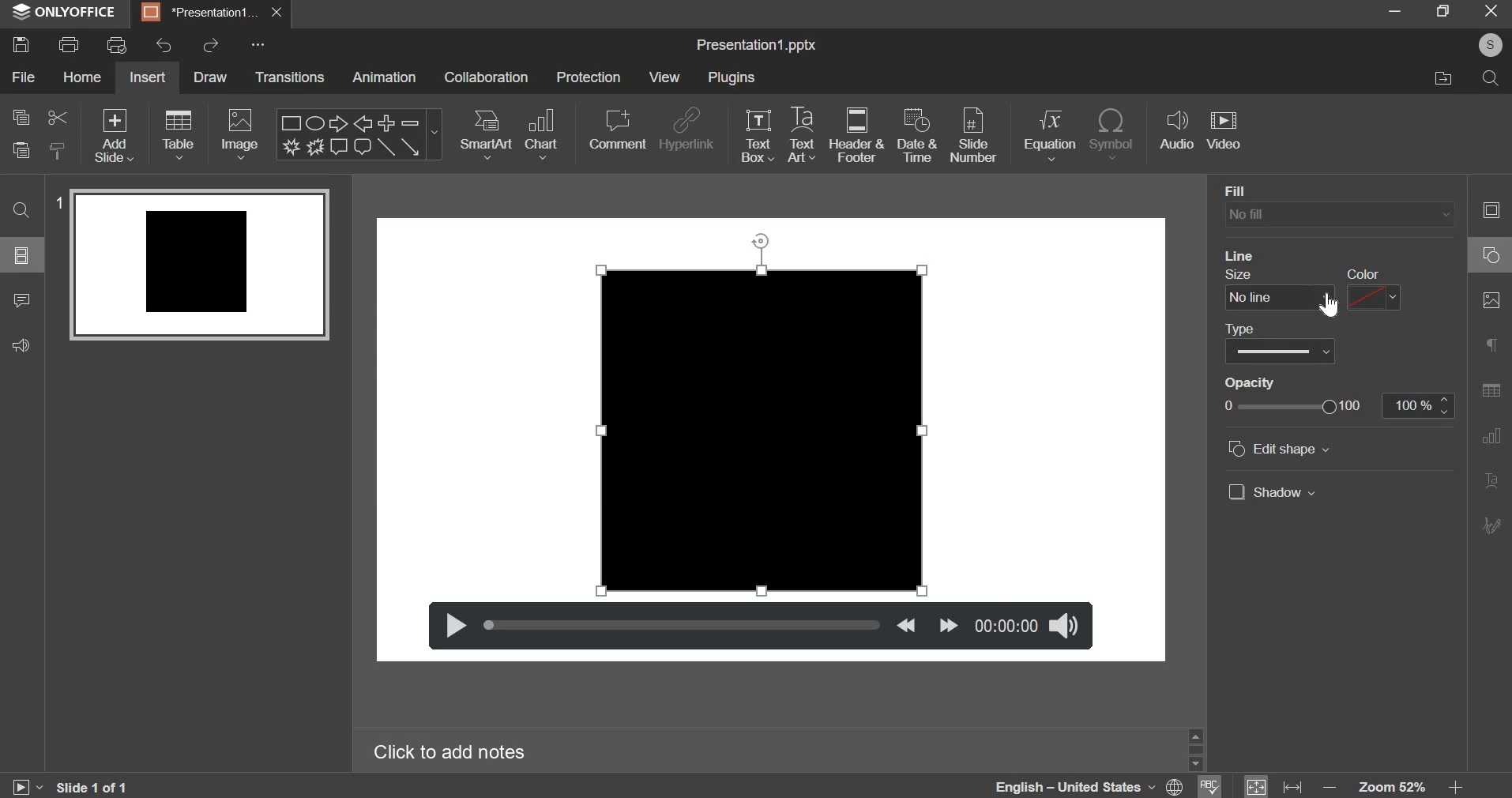 The width and height of the screenshot is (1512, 798). Describe the element at coordinates (164, 46) in the screenshot. I see `undo` at that location.